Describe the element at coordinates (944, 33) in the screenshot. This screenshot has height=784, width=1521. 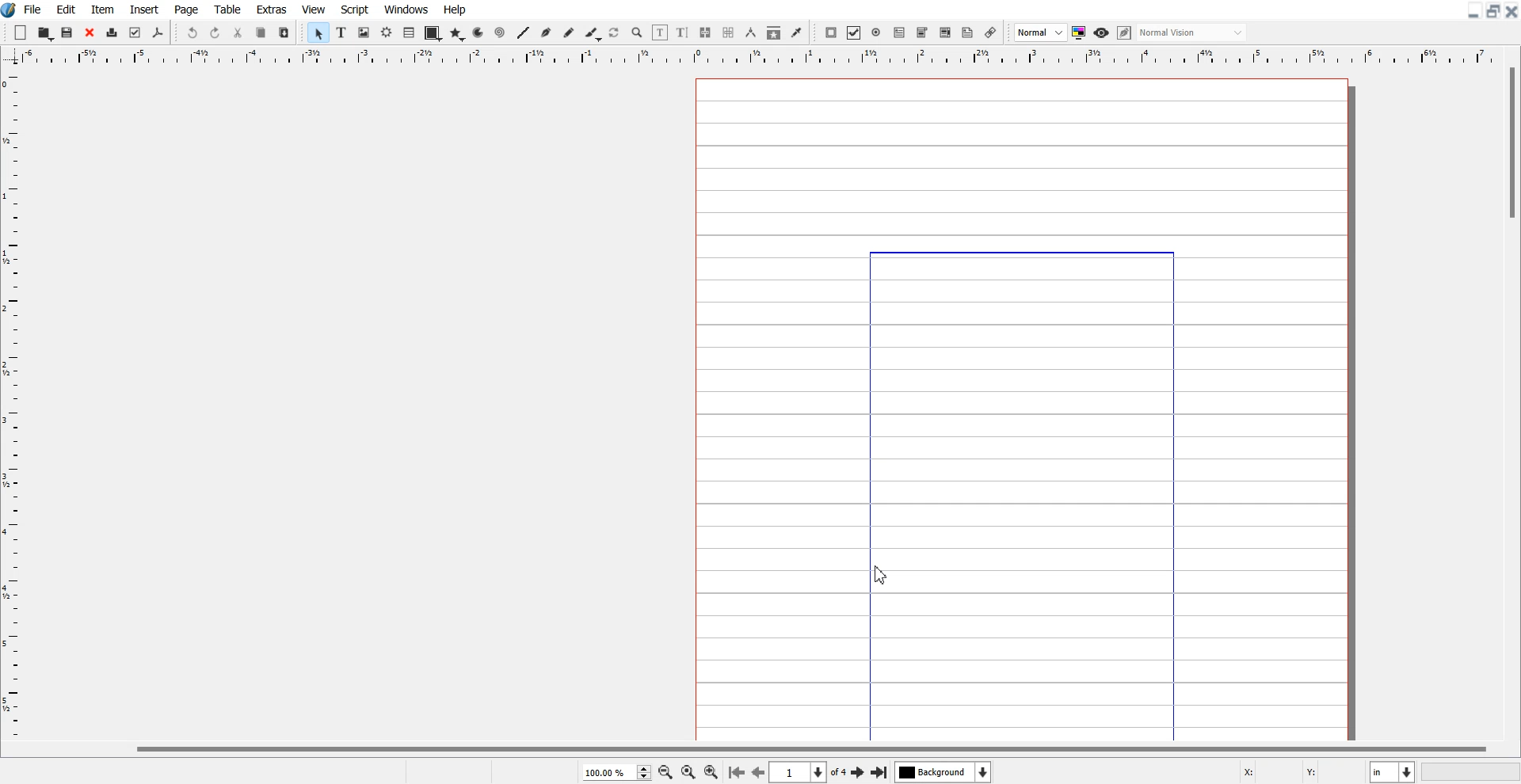
I see `PDF List Box` at that location.